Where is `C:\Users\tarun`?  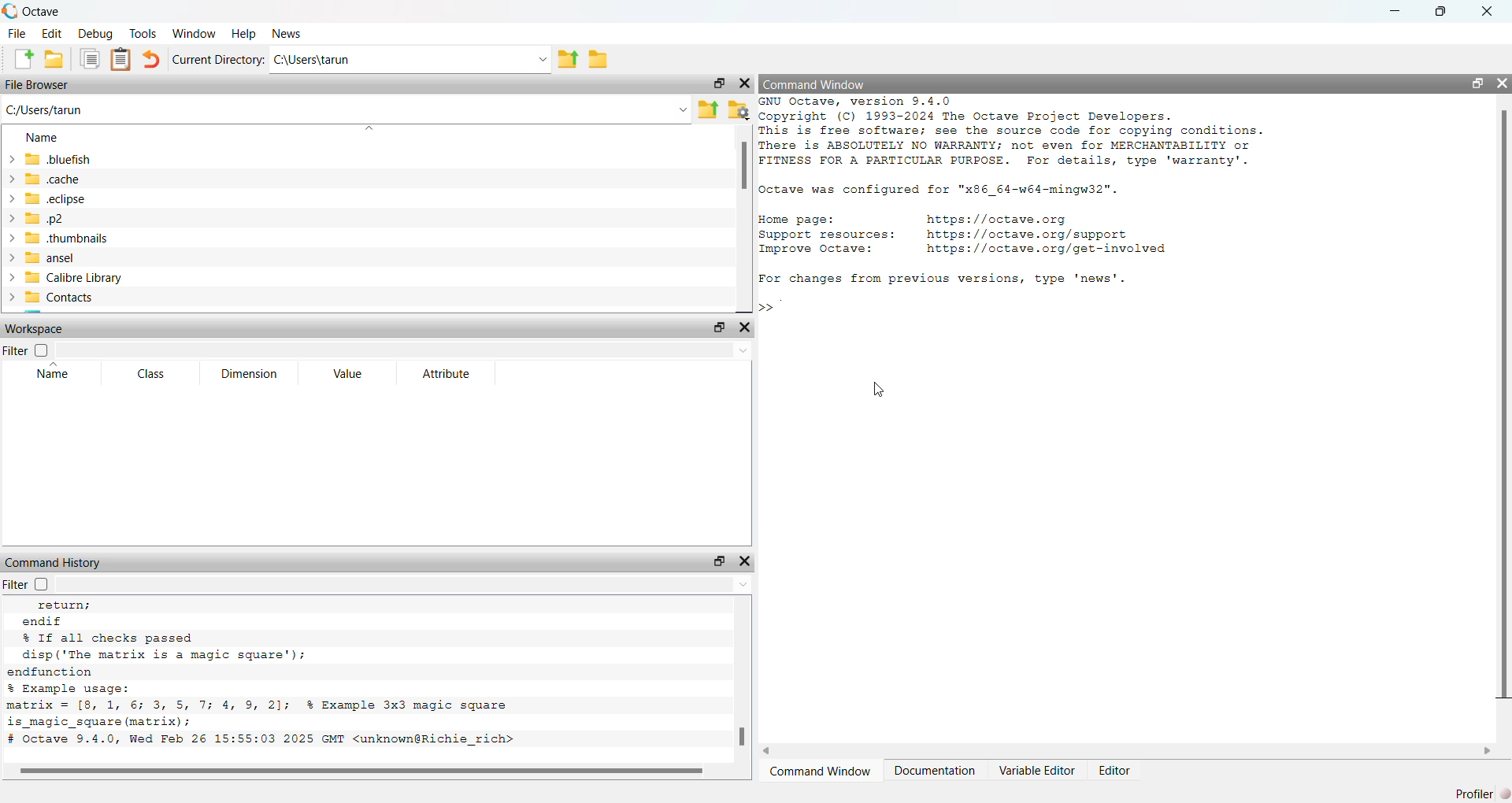 C:\Users\tarun is located at coordinates (311, 60).